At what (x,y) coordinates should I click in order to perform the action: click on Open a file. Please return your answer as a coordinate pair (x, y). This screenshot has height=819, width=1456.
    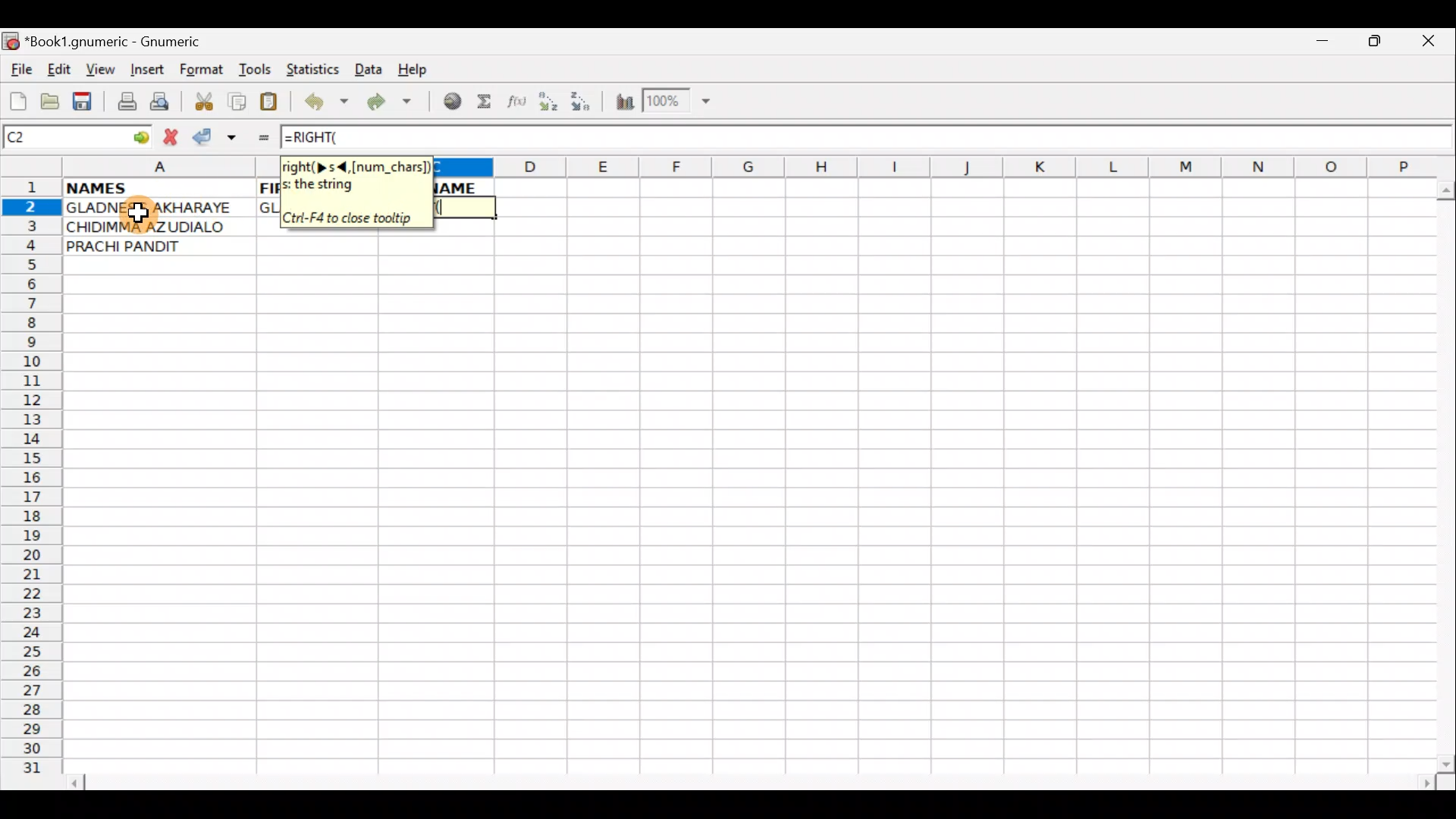
    Looking at the image, I should click on (53, 99).